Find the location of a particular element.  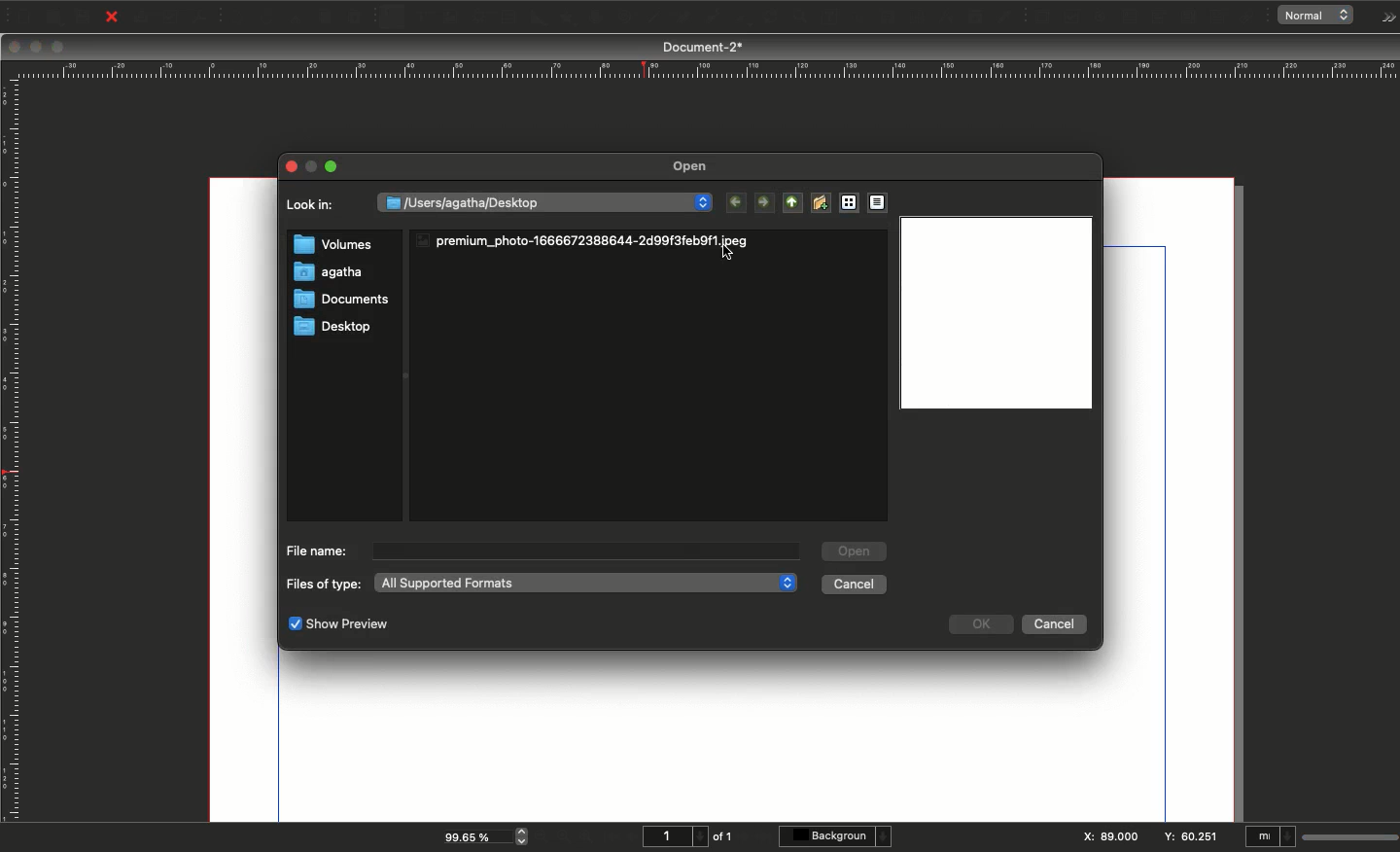

Close is located at coordinates (15, 47).